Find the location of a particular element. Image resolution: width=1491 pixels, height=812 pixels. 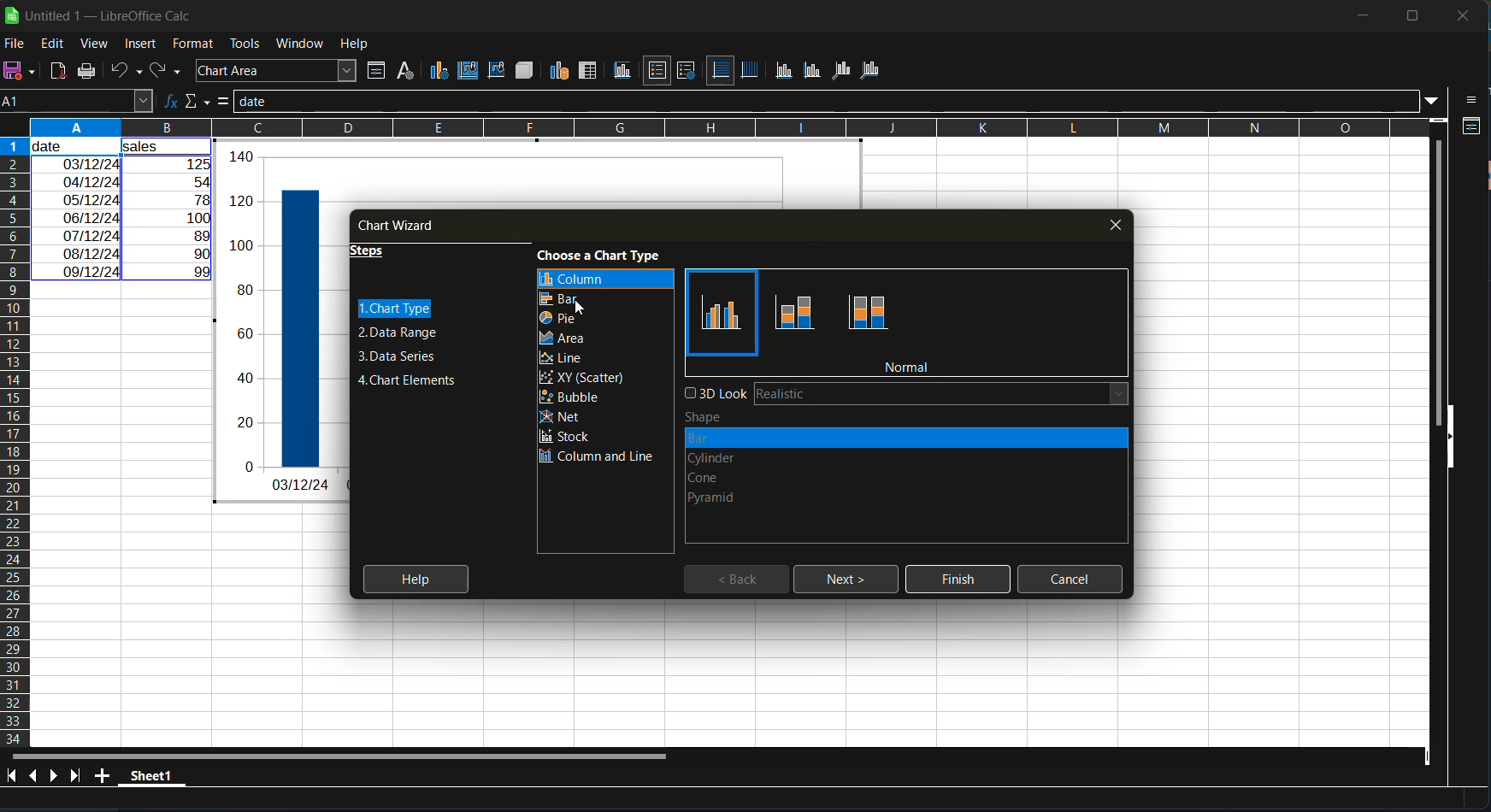

horizontal grids is located at coordinates (721, 70).